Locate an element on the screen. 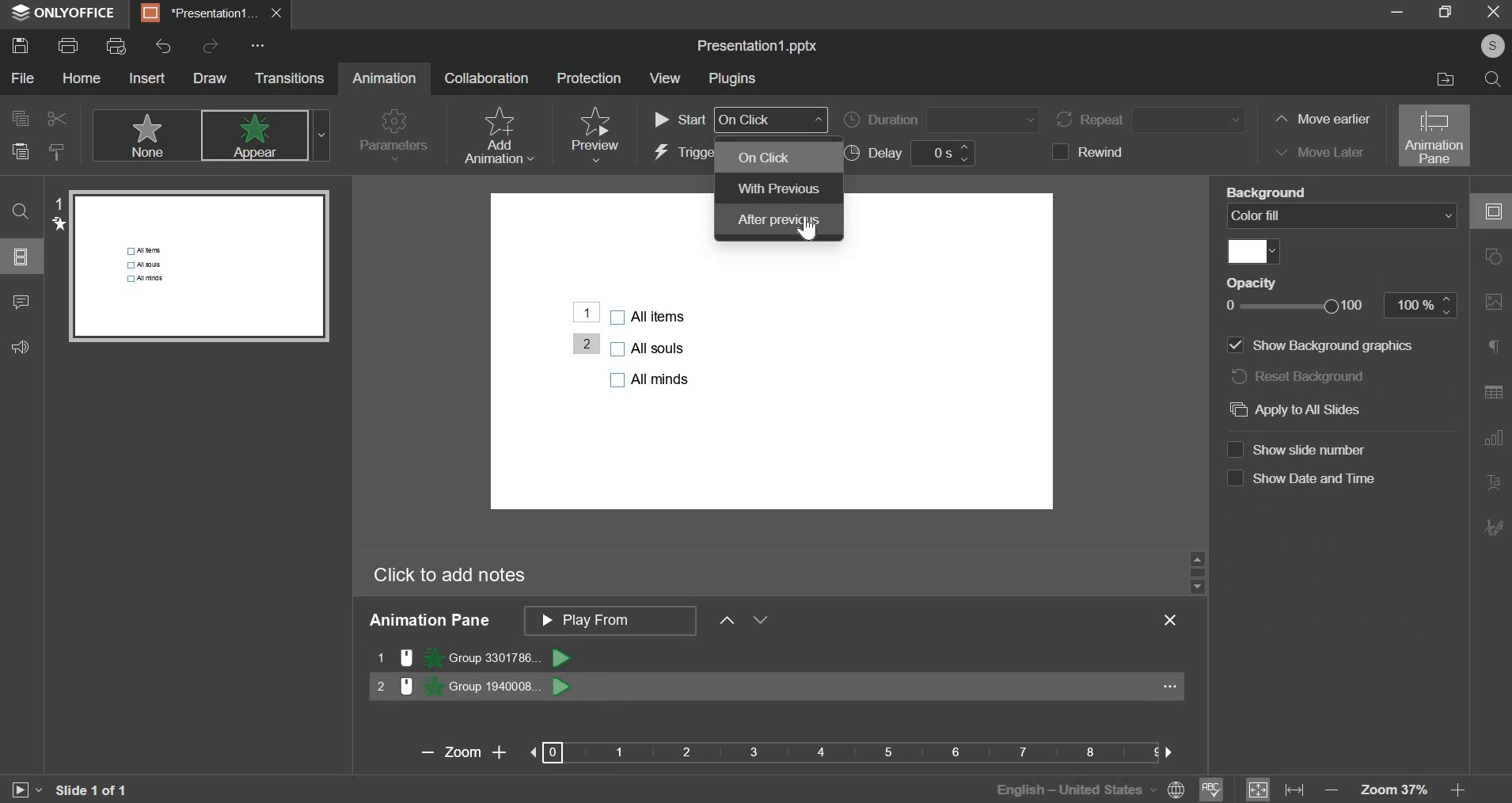  exit is located at coordinates (275, 13).